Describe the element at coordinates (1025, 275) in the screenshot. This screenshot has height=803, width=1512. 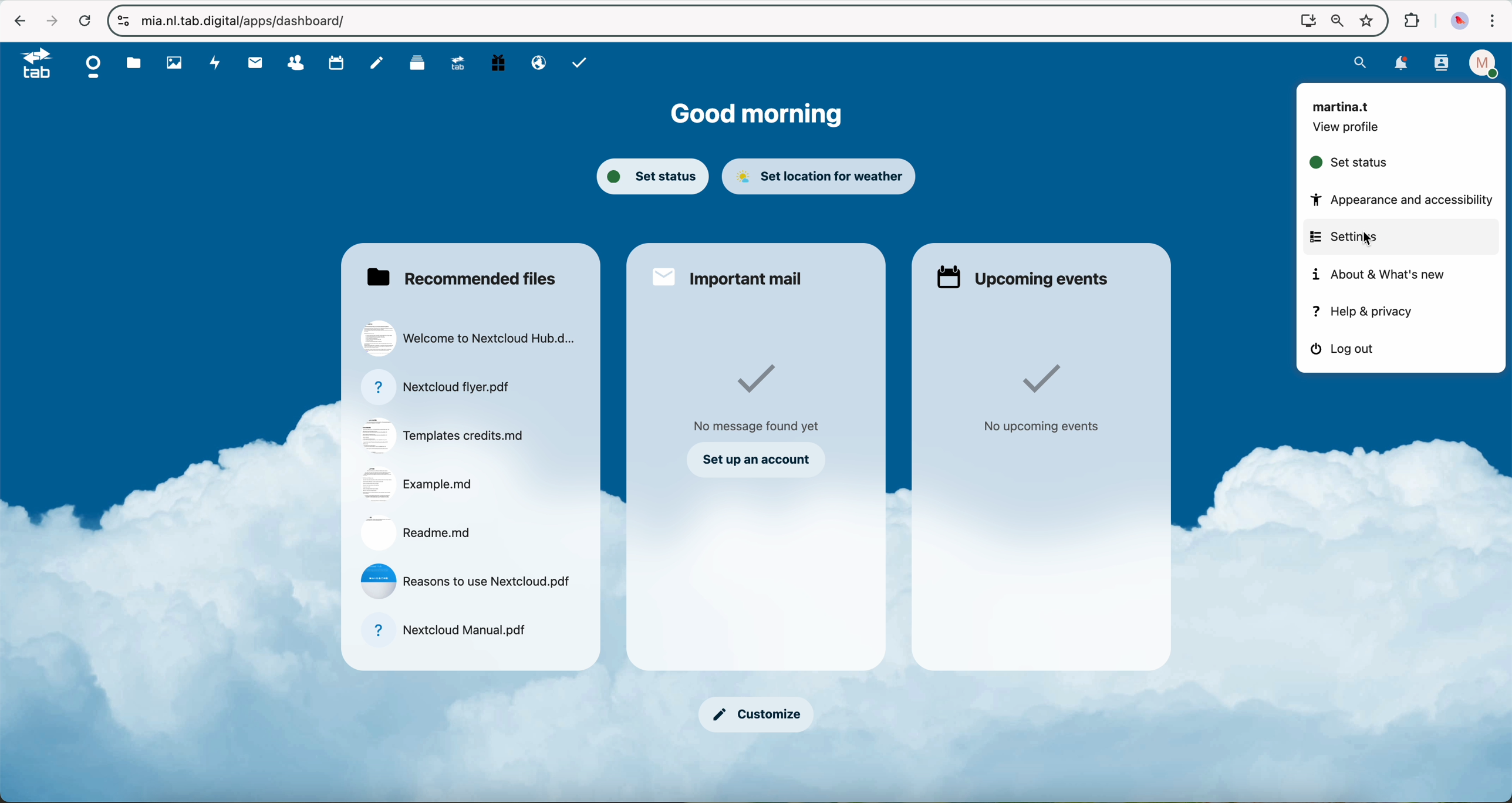
I see `upcoming events` at that location.